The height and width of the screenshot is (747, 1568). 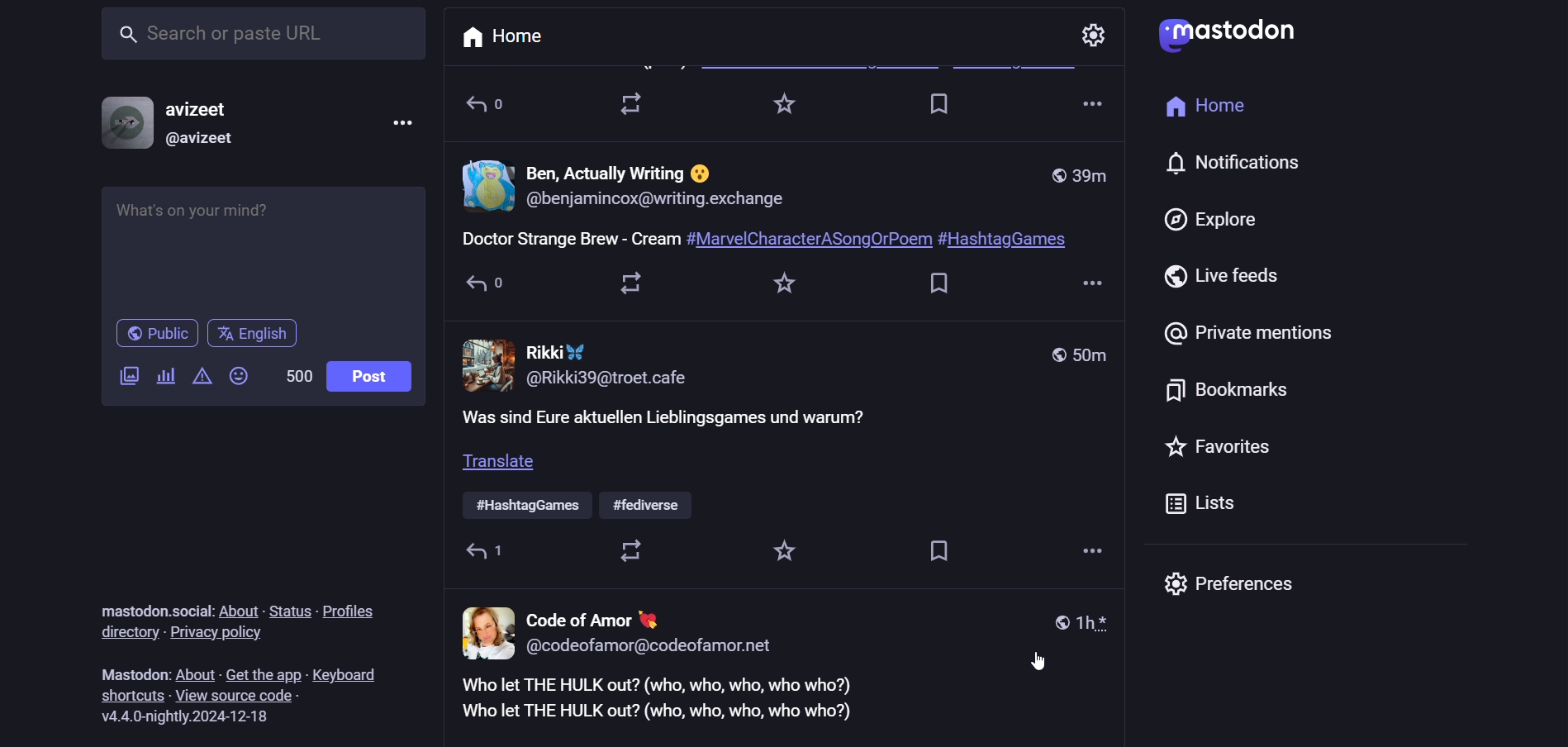 What do you see at coordinates (498, 34) in the screenshot?
I see `home` at bounding box center [498, 34].